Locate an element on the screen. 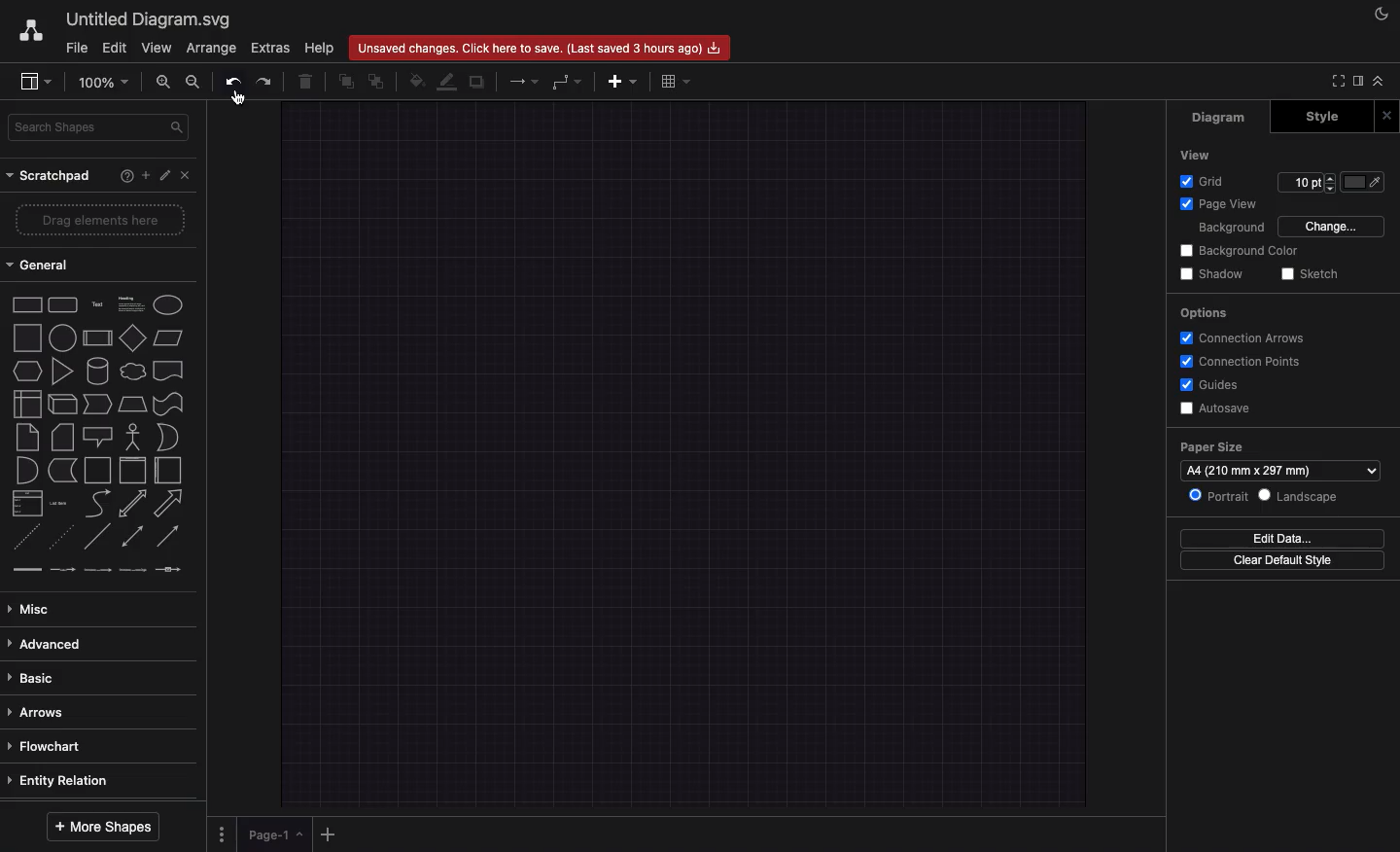 This screenshot has width=1400, height=852. Waypoints  is located at coordinates (566, 82).